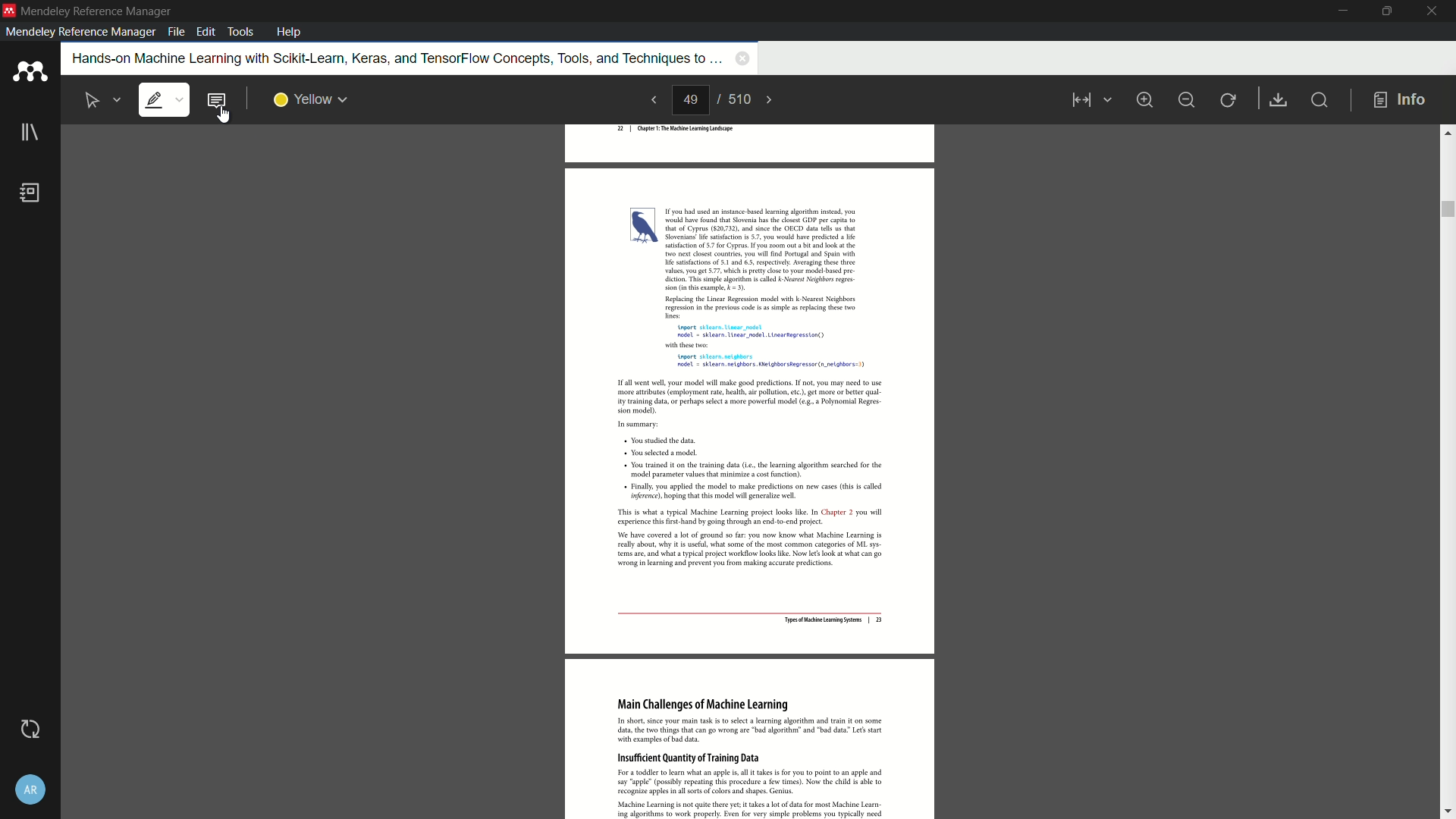 This screenshot has width=1456, height=819. What do you see at coordinates (29, 73) in the screenshot?
I see `app icon` at bounding box center [29, 73].